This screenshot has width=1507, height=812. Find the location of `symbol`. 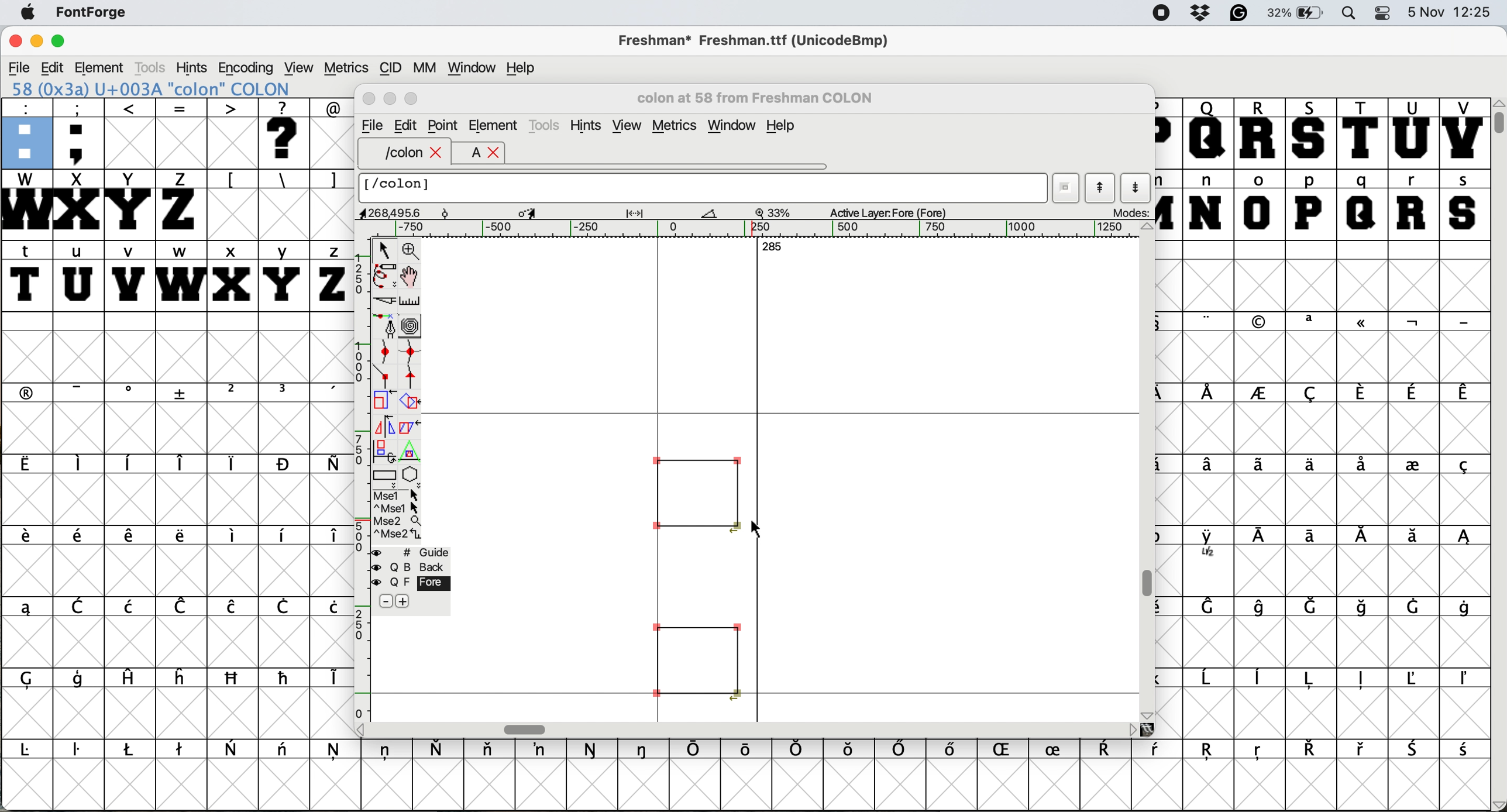

symbol is located at coordinates (82, 392).